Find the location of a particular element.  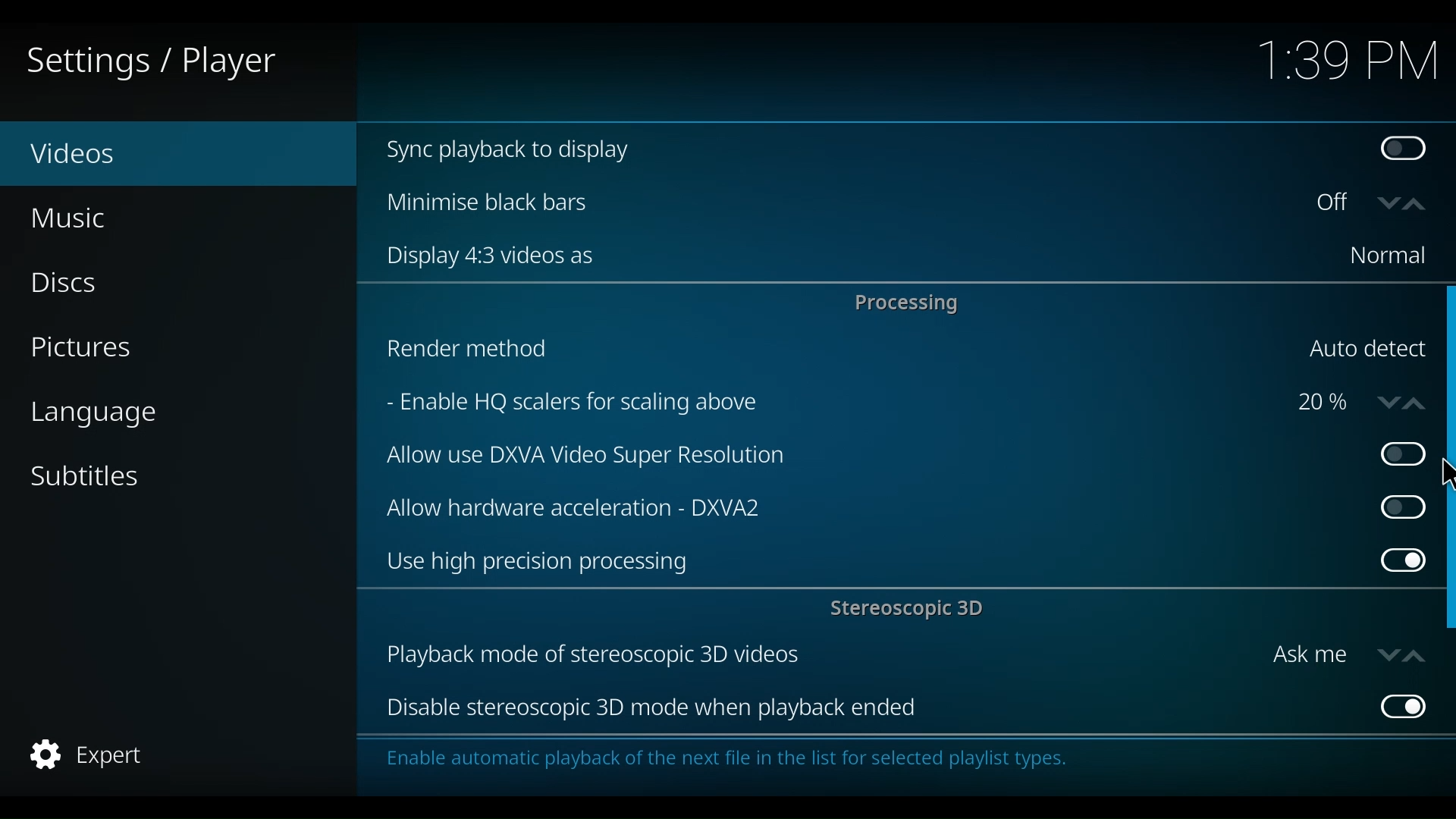

Ask me is located at coordinates (1309, 655).